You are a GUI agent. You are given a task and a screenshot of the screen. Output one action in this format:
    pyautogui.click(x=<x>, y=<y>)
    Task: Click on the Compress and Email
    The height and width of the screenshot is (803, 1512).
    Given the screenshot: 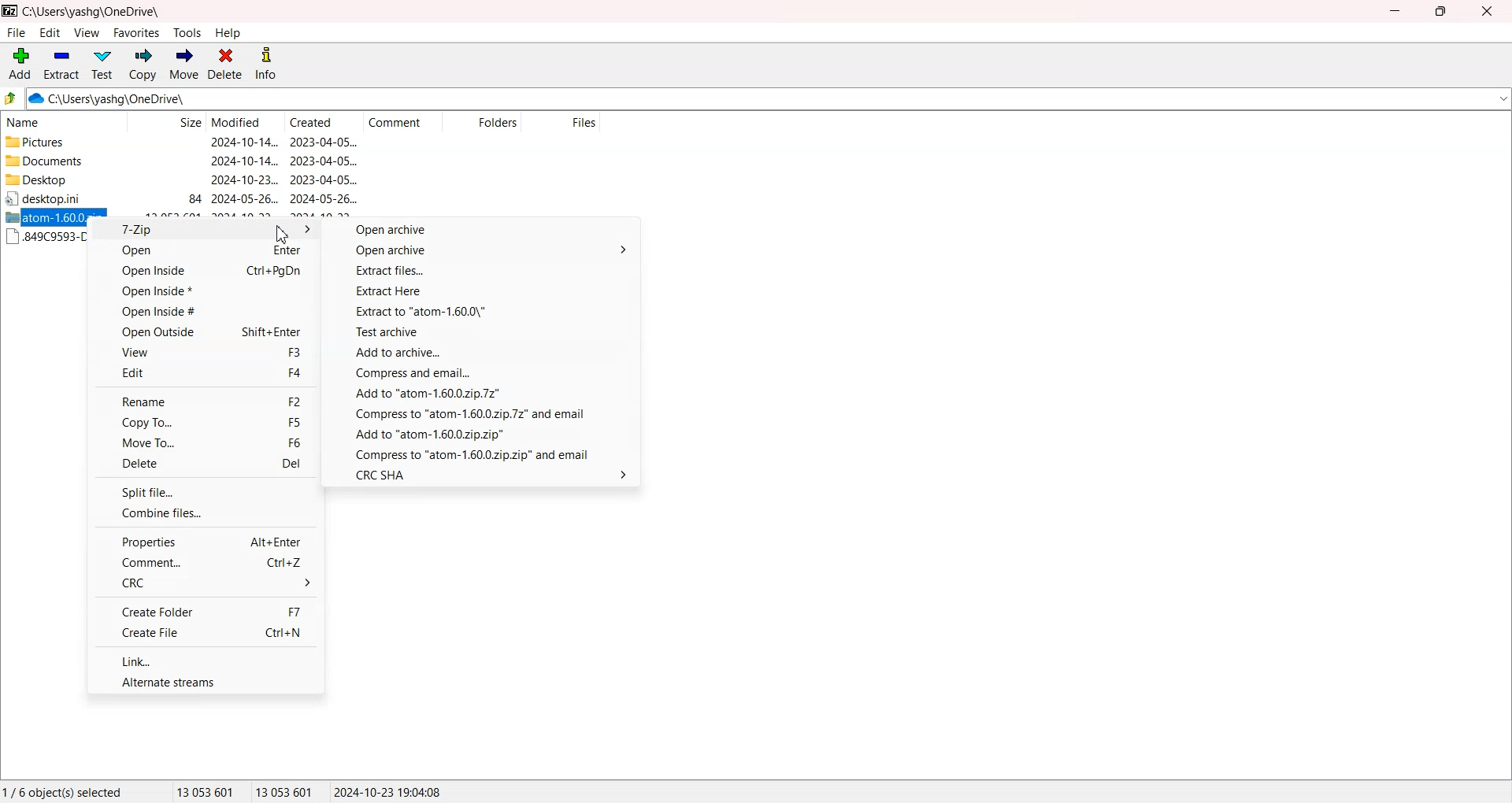 What is the action you would take?
    pyautogui.click(x=483, y=453)
    